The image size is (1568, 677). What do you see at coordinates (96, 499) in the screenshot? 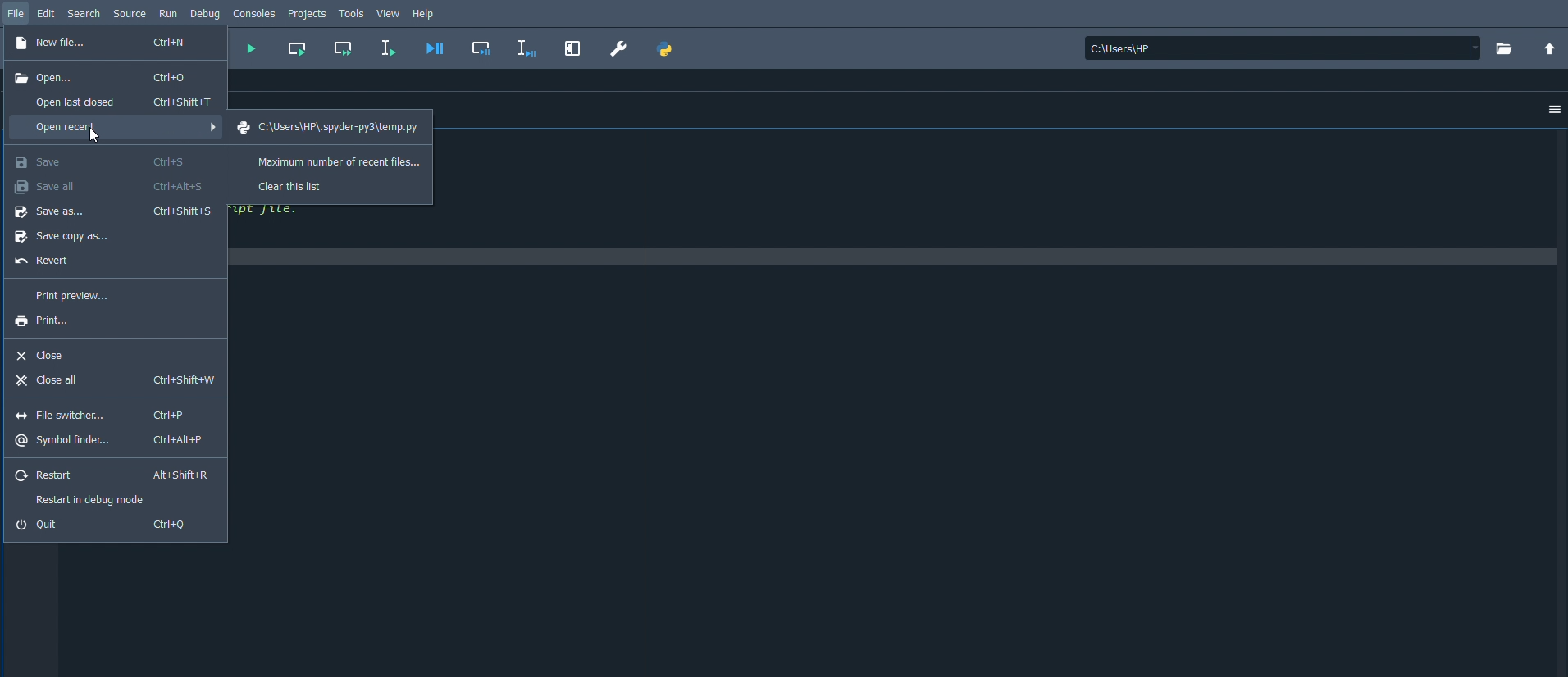
I see `Restart in debug mode` at bounding box center [96, 499].